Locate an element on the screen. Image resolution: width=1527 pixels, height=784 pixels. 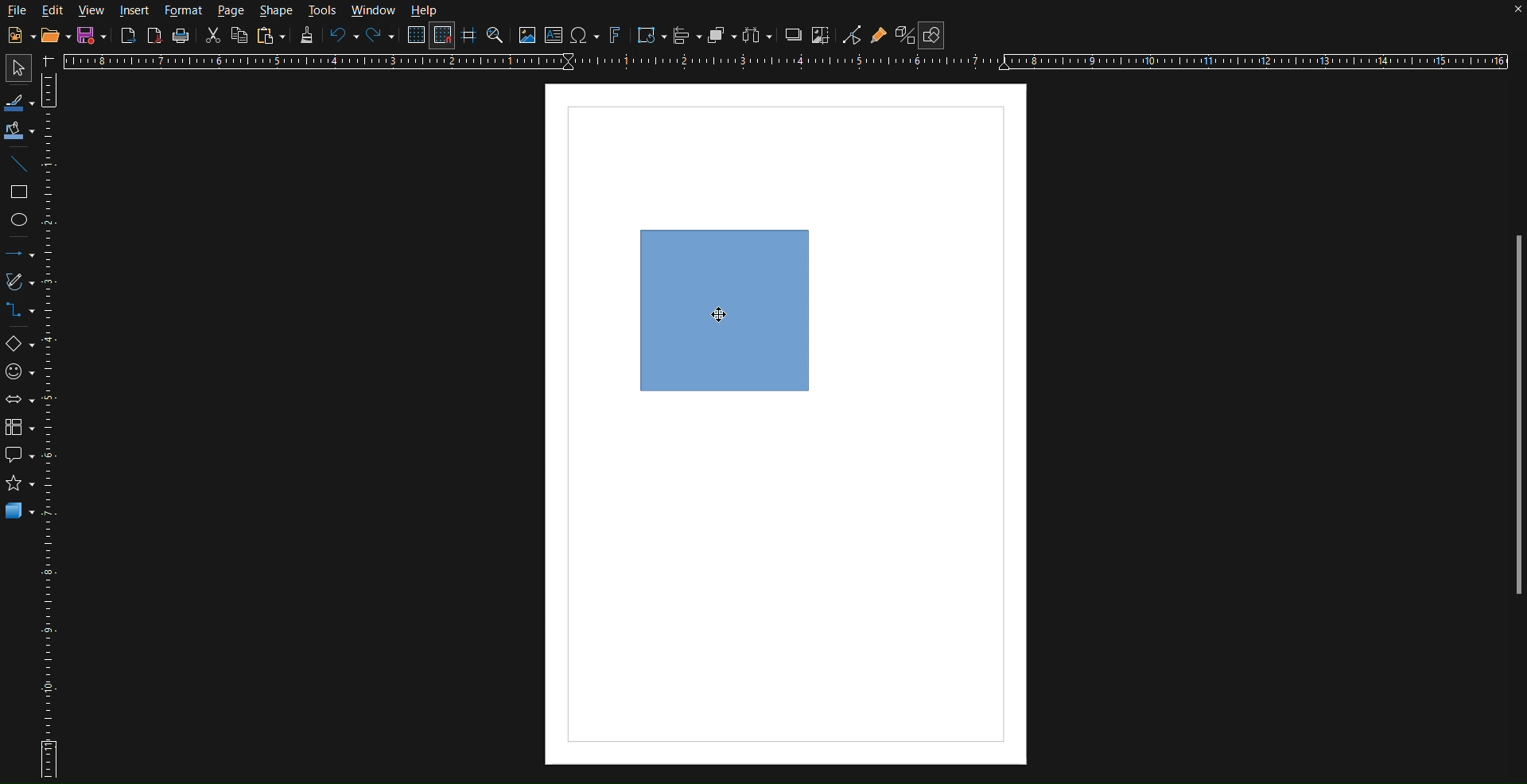
Display Grid is located at coordinates (414, 37).